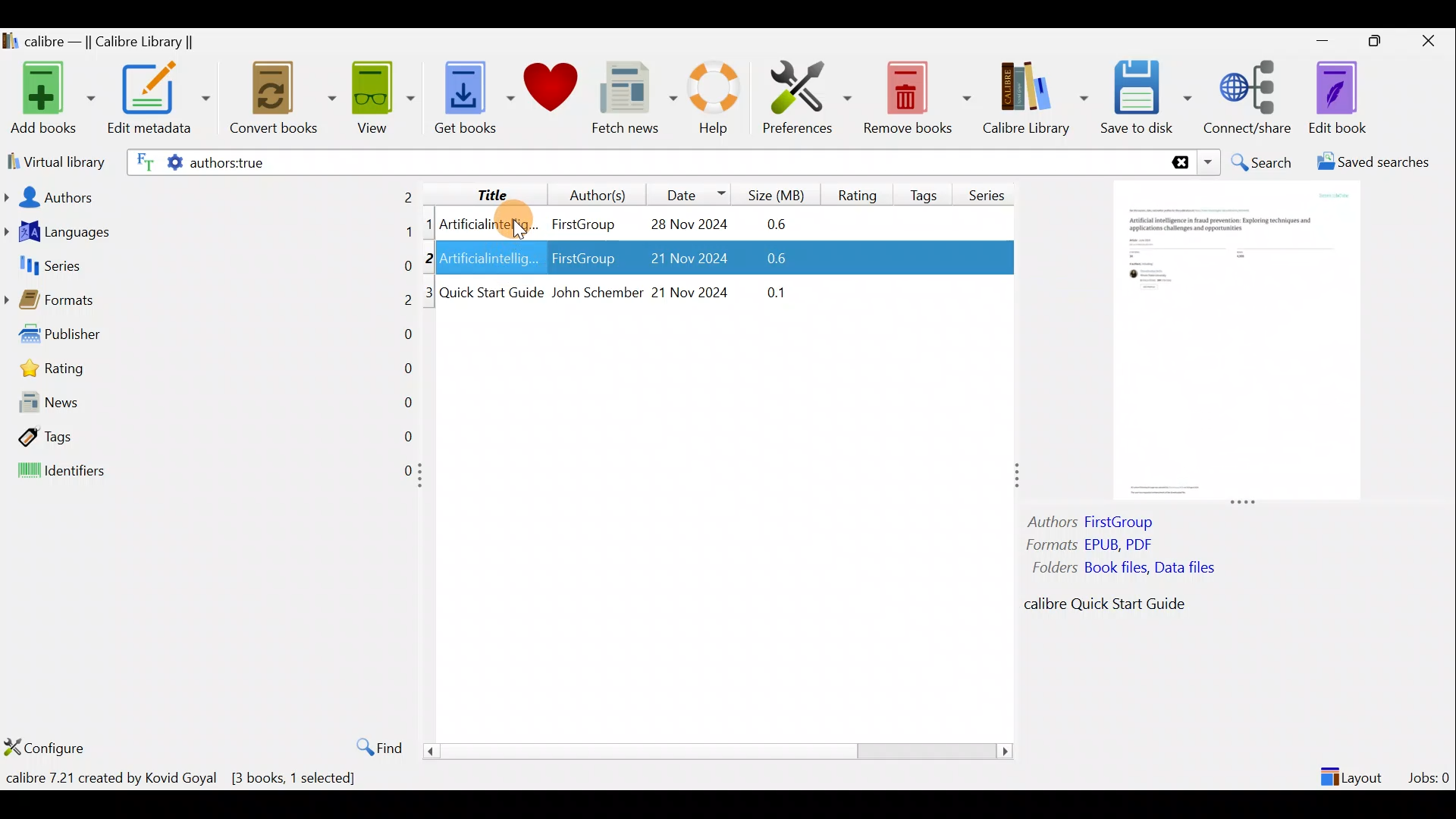 Image resolution: width=1456 pixels, height=819 pixels. I want to click on Author(s), so click(591, 191).